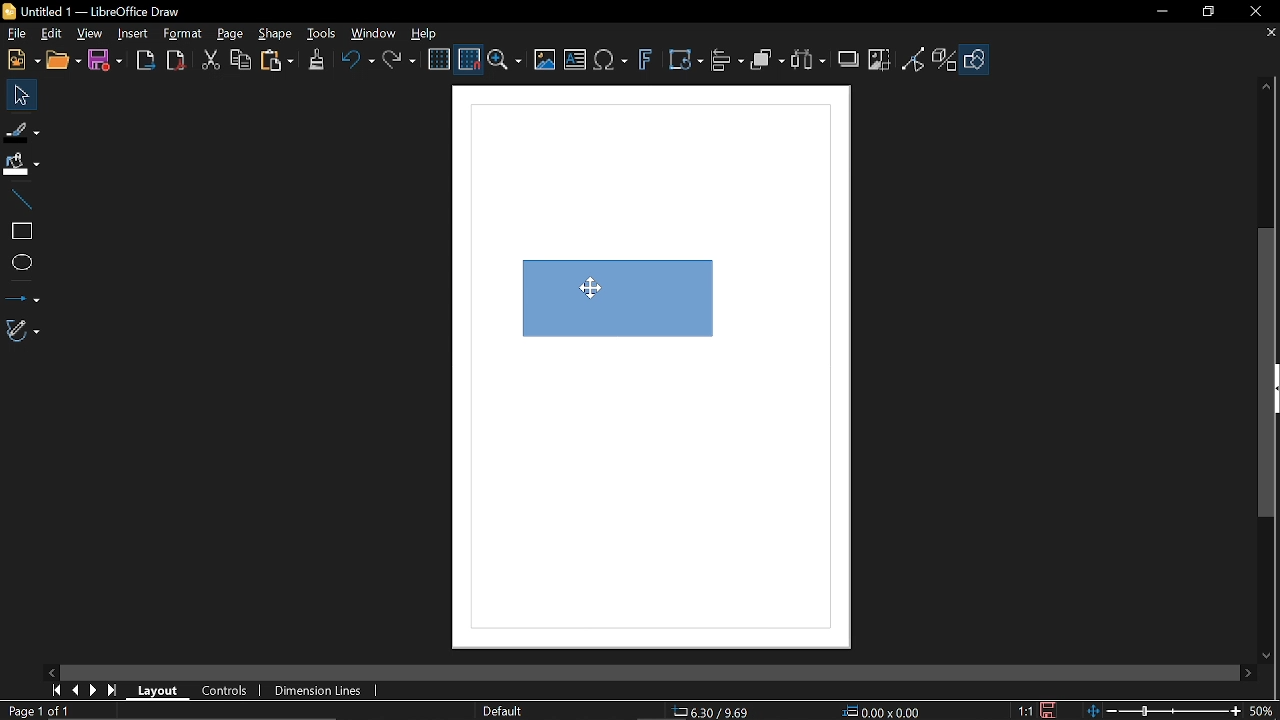 The width and height of the screenshot is (1280, 720). Describe the element at coordinates (1269, 87) in the screenshot. I see `Move up` at that location.